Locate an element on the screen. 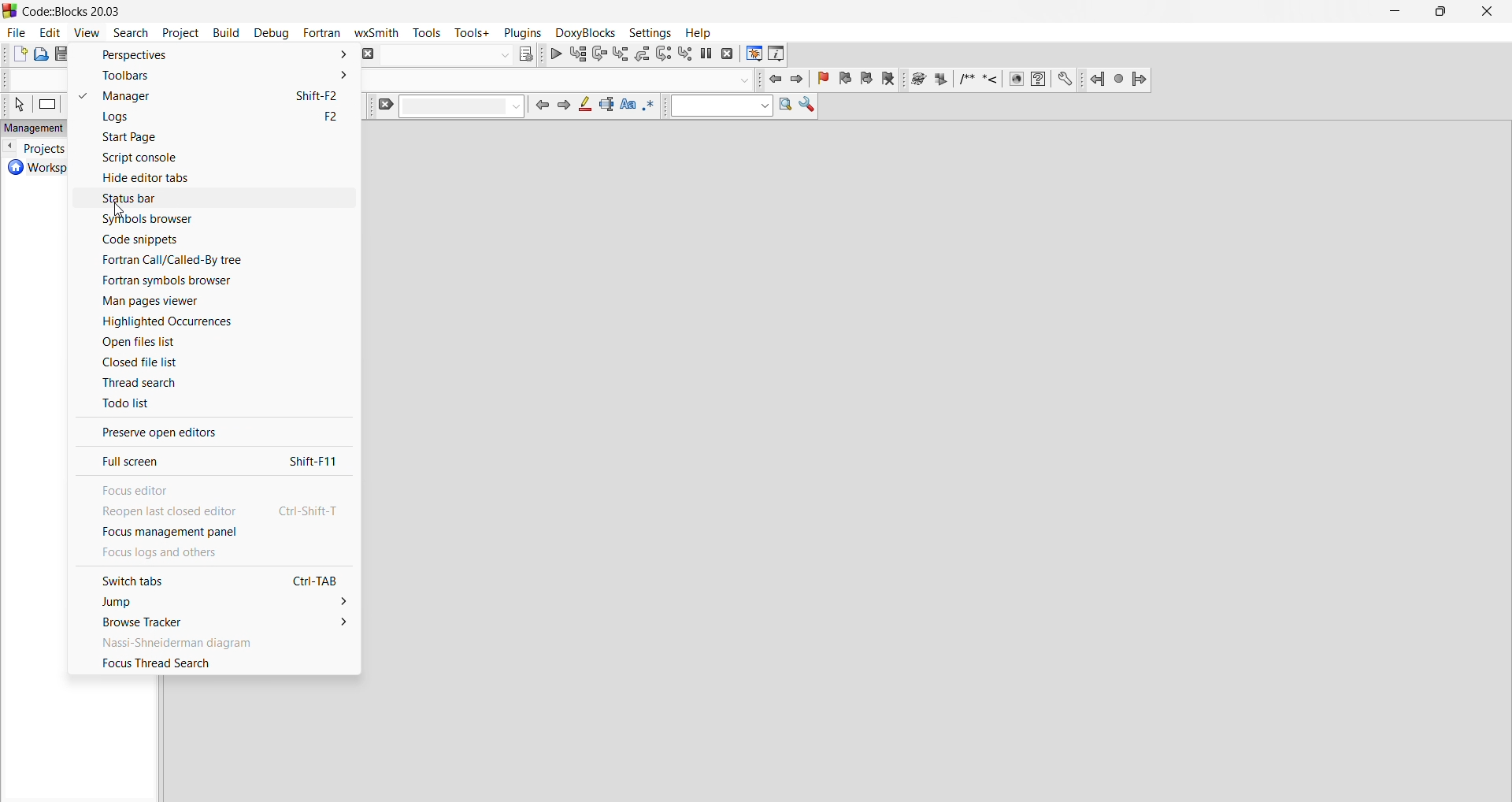 The height and width of the screenshot is (802, 1512). status bar is located at coordinates (213, 197).